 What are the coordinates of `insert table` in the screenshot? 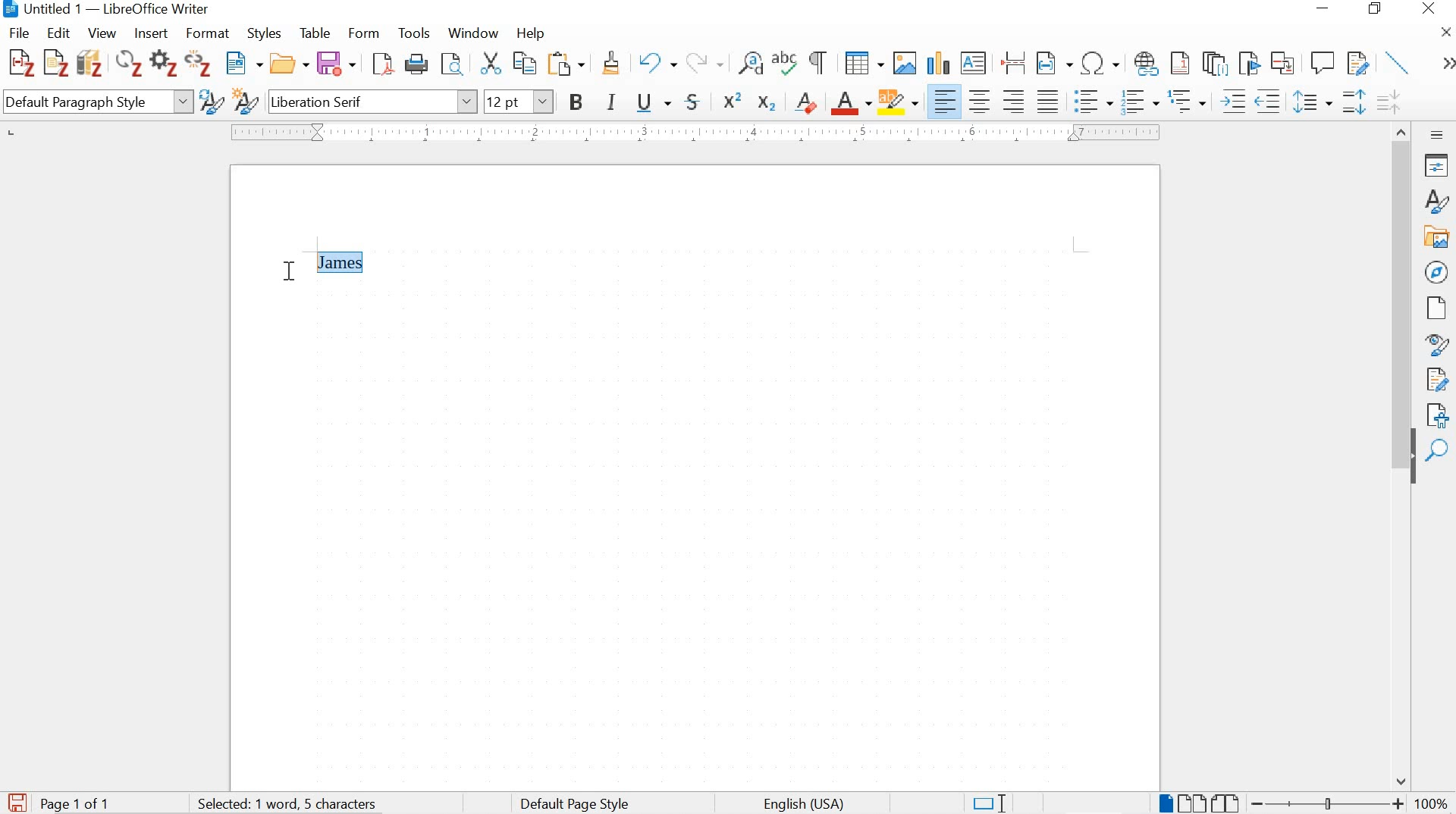 It's located at (864, 64).